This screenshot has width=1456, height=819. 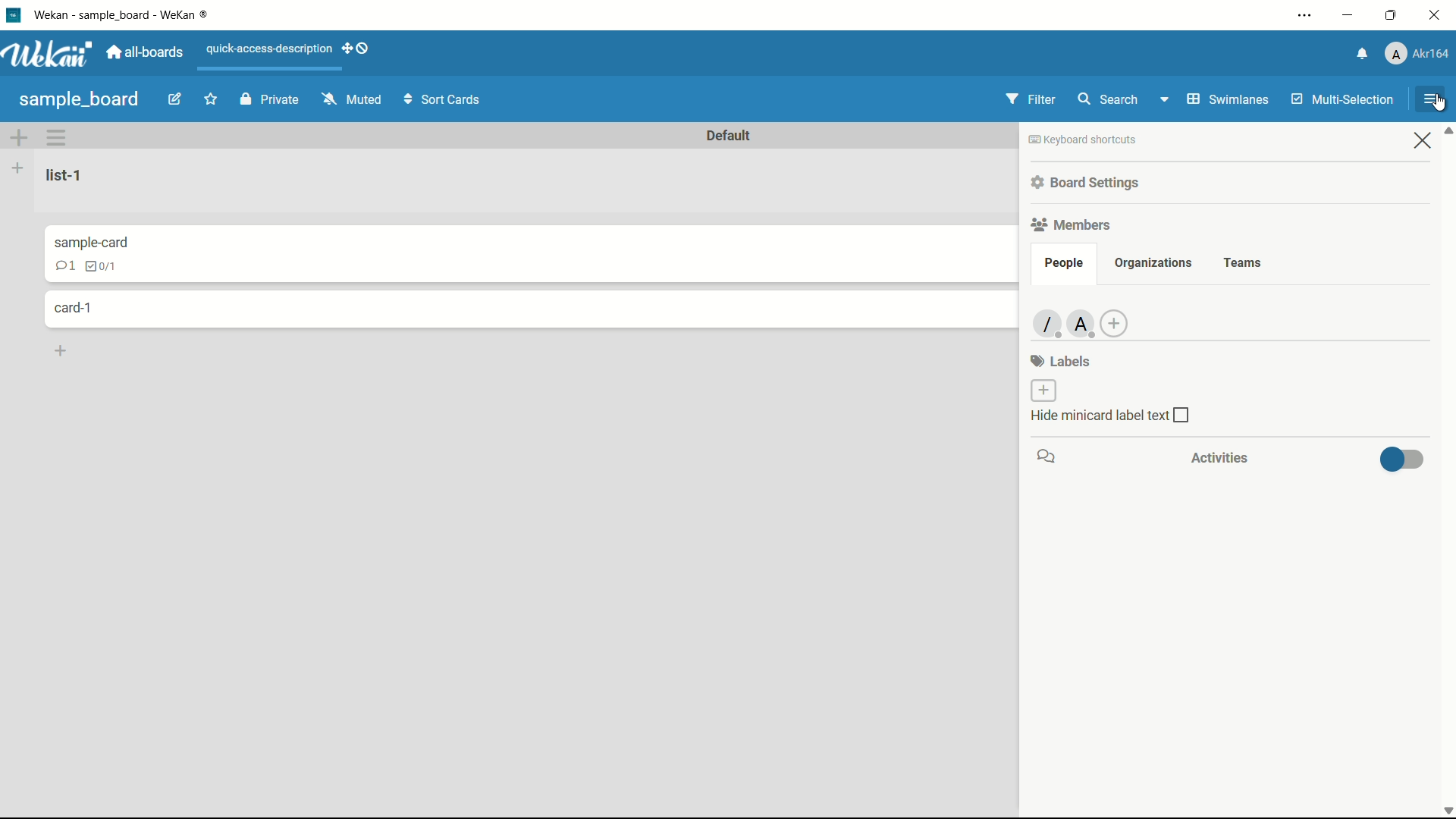 What do you see at coordinates (1246, 262) in the screenshot?
I see `teams` at bounding box center [1246, 262].